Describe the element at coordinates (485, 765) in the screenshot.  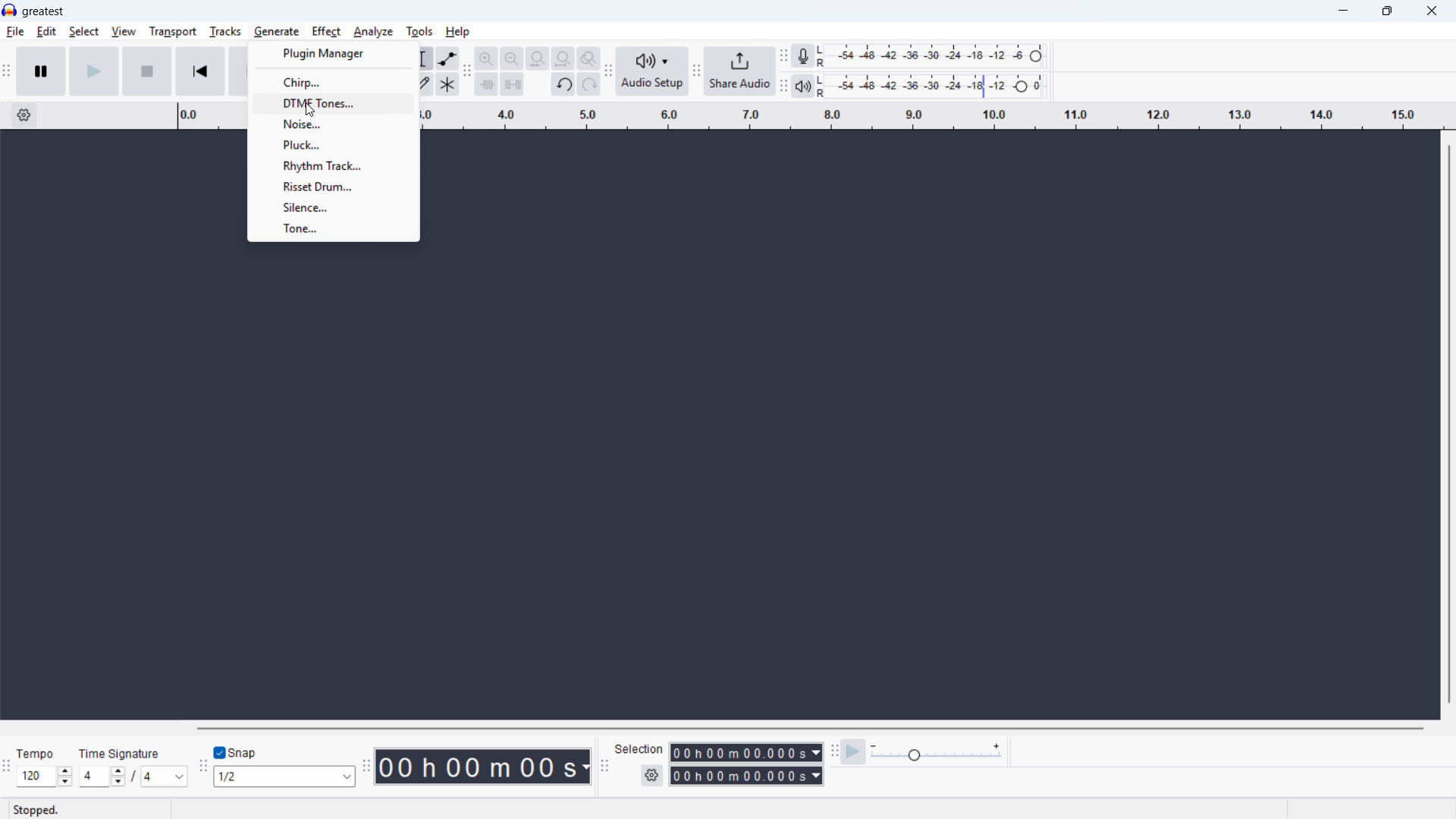
I see `Timestamp ` at that location.